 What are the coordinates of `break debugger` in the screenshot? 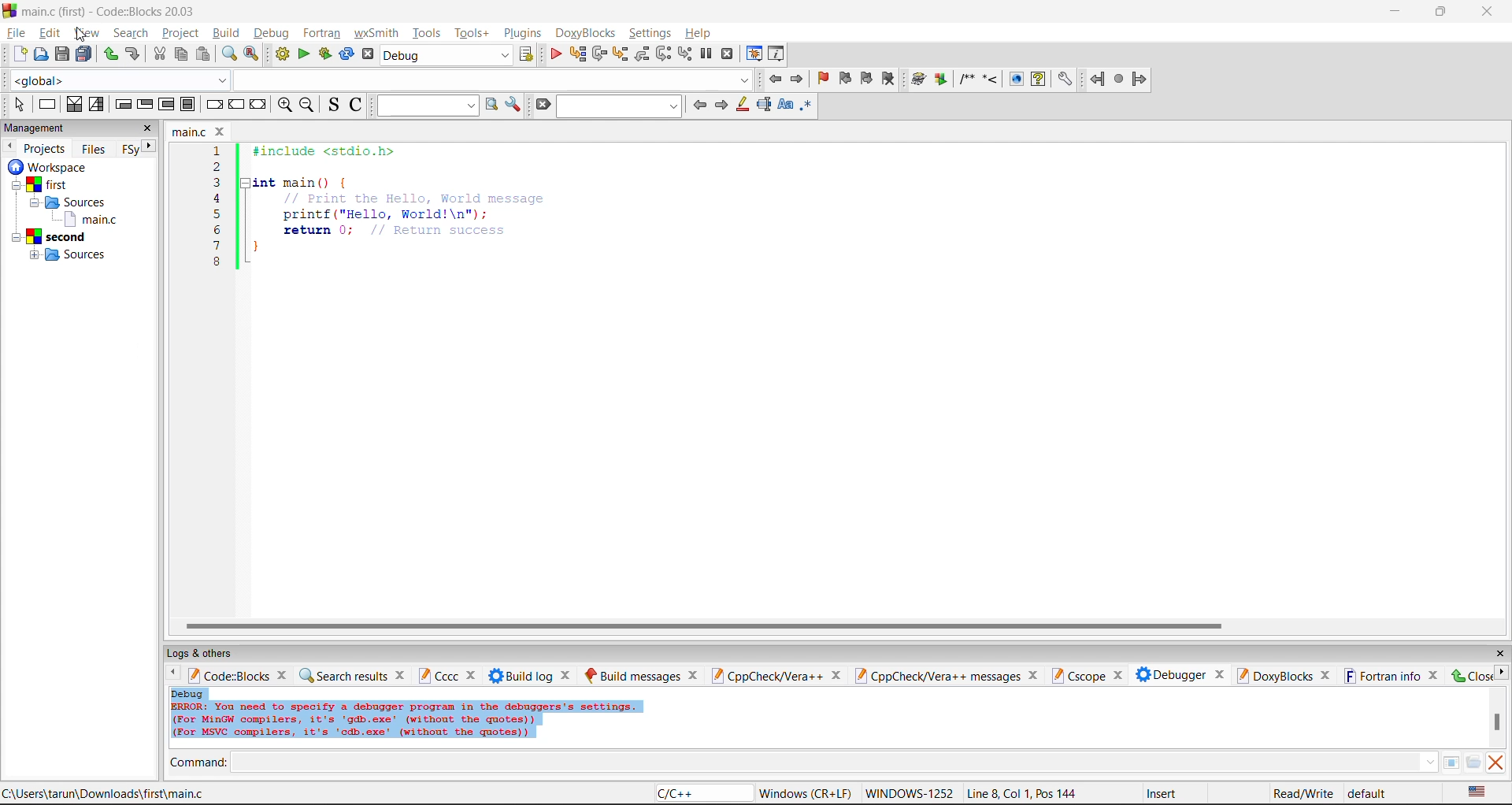 It's located at (706, 54).